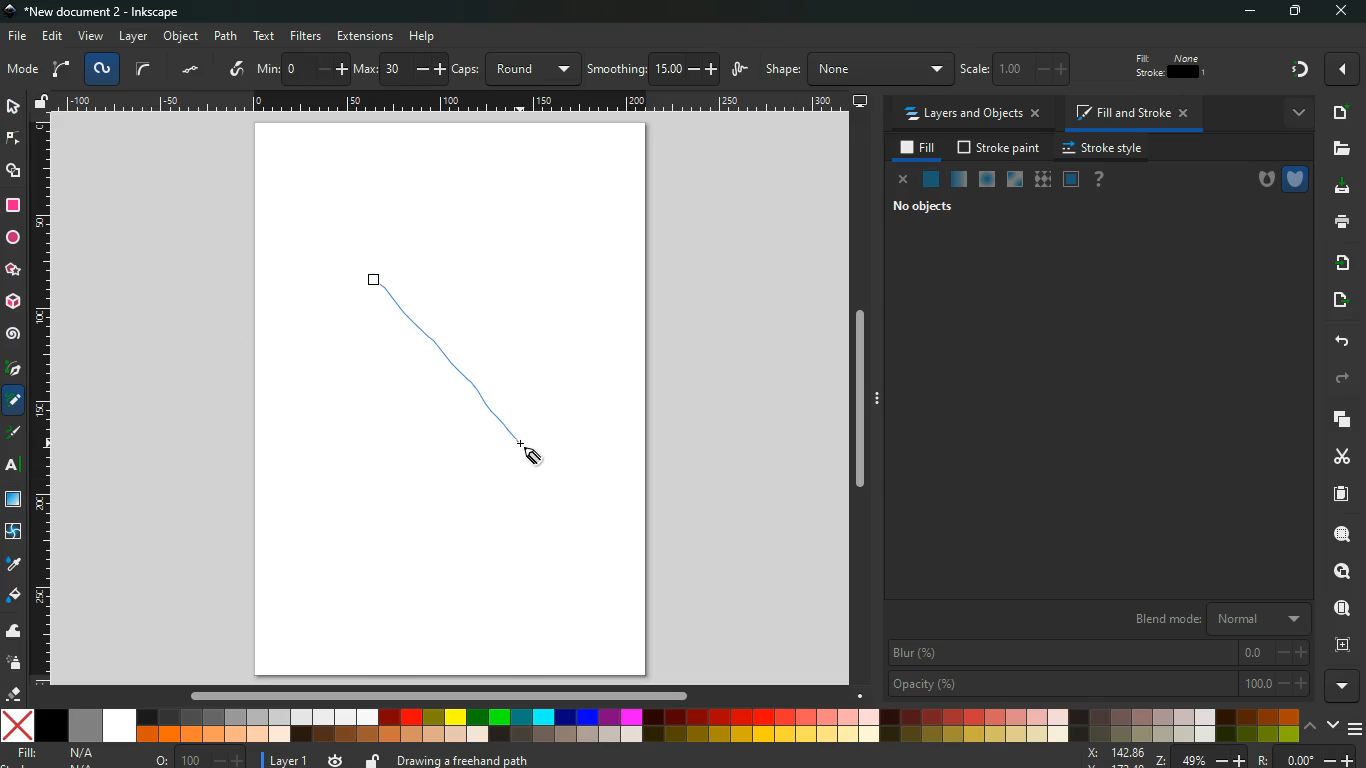  What do you see at coordinates (305, 36) in the screenshot?
I see `filters` at bounding box center [305, 36].